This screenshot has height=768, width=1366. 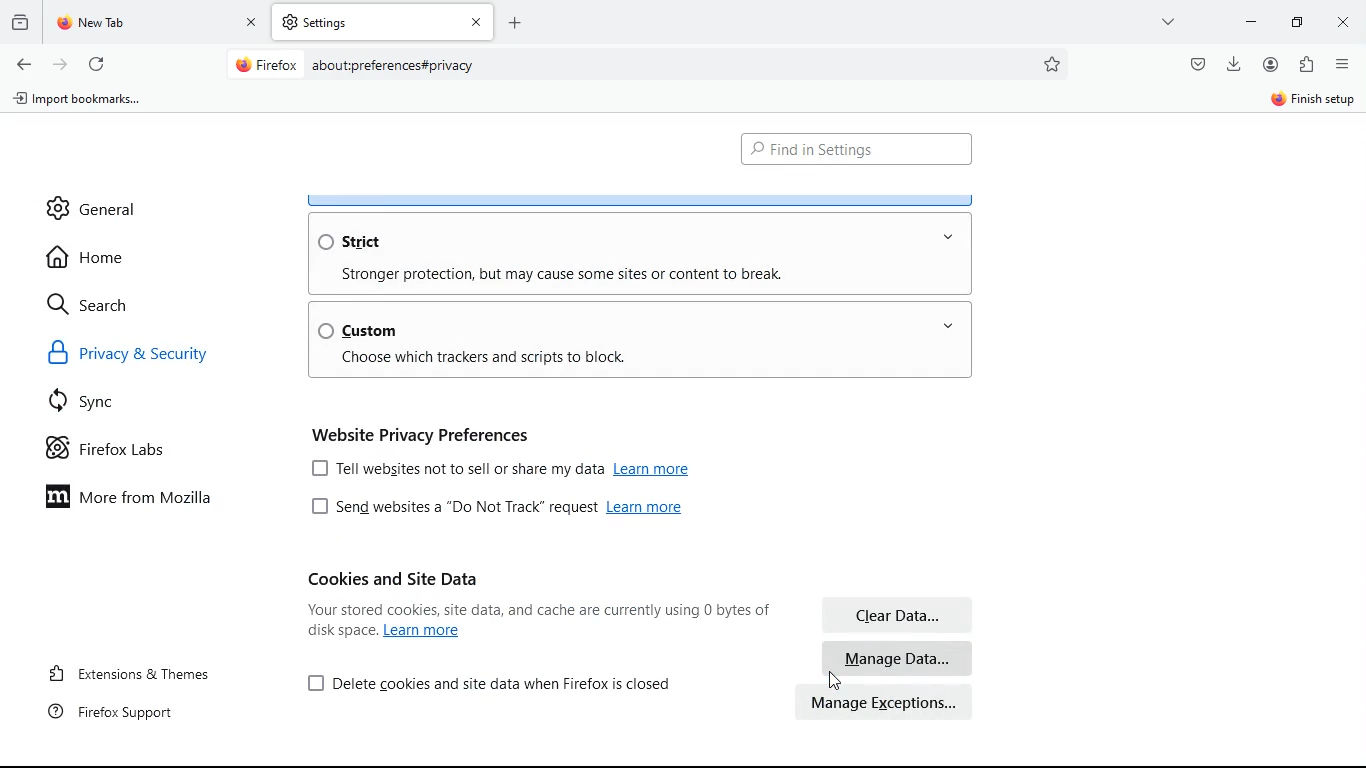 What do you see at coordinates (1251, 20) in the screenshot?
I see `minimize` at bounding box center [1251, 20].